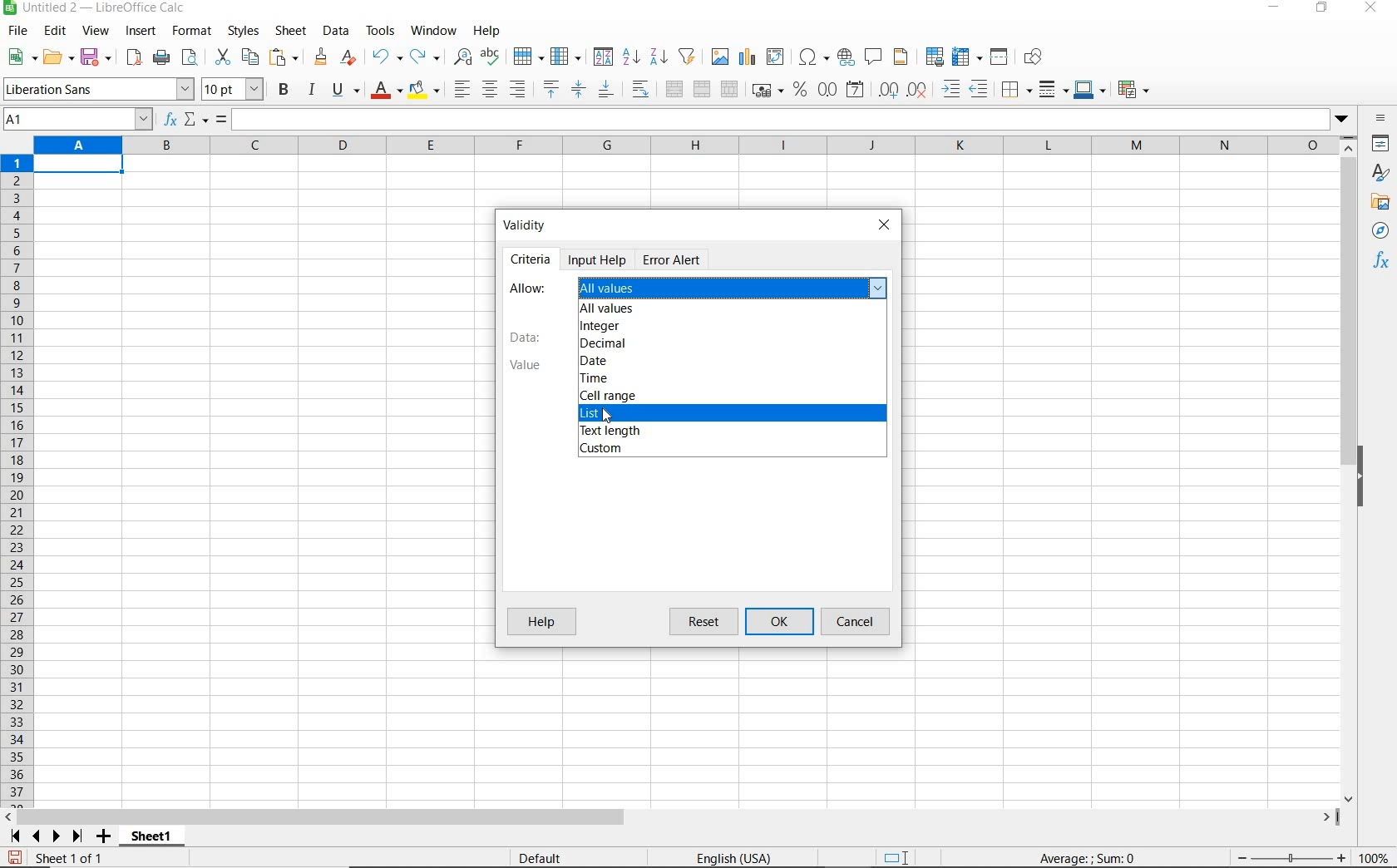 The width and height of the screenshot is (1397, 868). Describe the element at coordinates (350, 57) in the screenshot. I see `clear direct formatting` at that location.